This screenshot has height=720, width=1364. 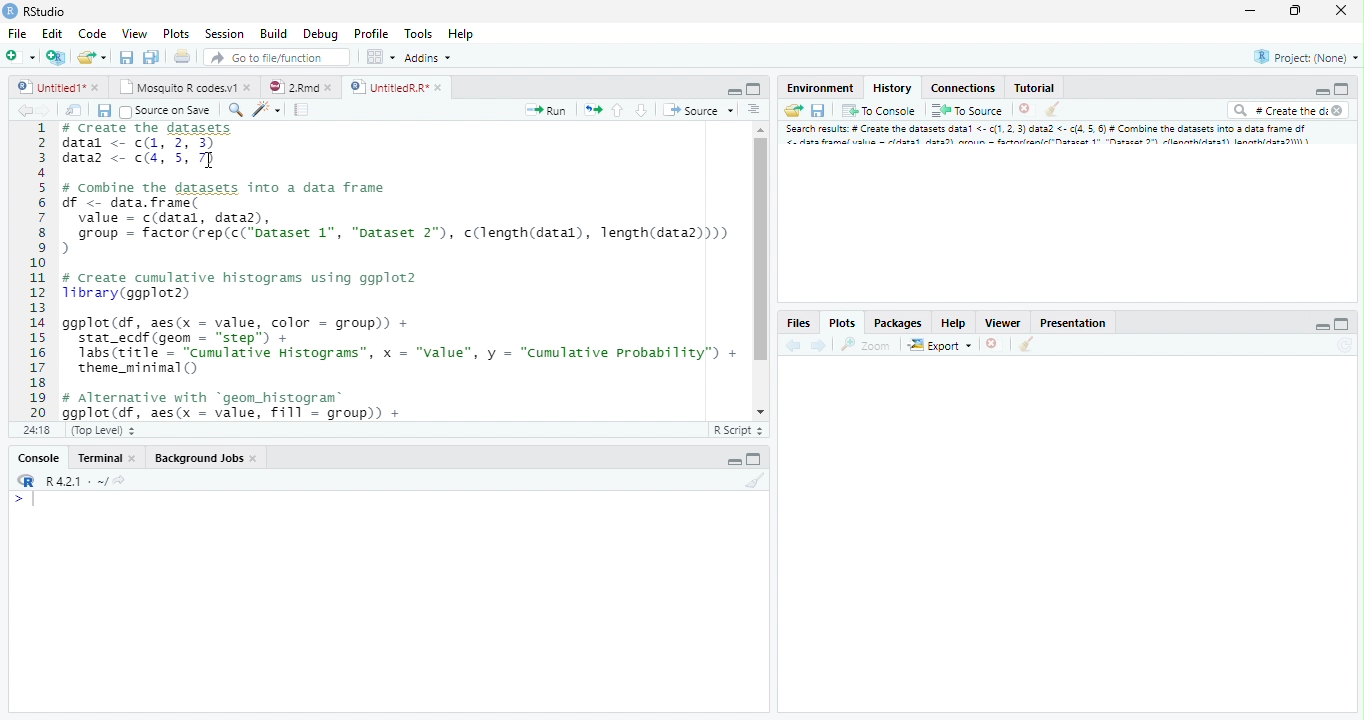 I want to click on Save all, so click(x=151, y=57).